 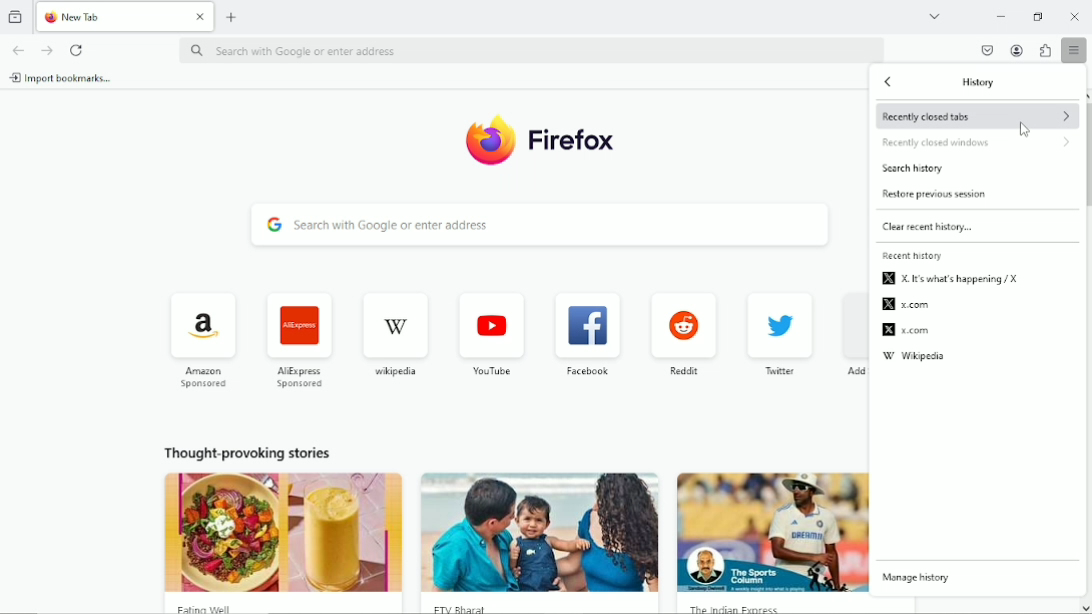 I want to click on Add shortcut, so click(x=849, y=374).